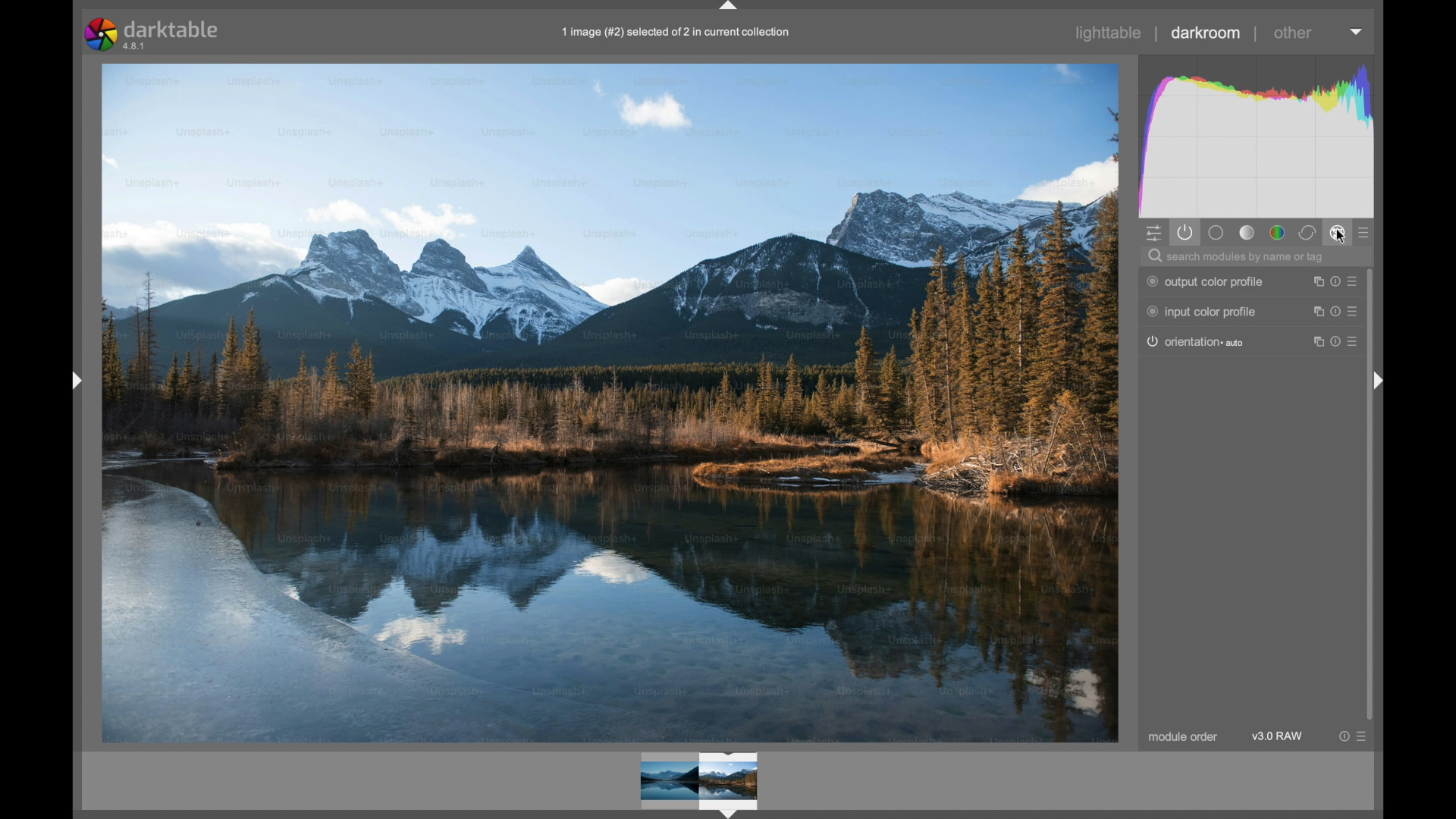  I want to click on instance, so click(1314, 343).